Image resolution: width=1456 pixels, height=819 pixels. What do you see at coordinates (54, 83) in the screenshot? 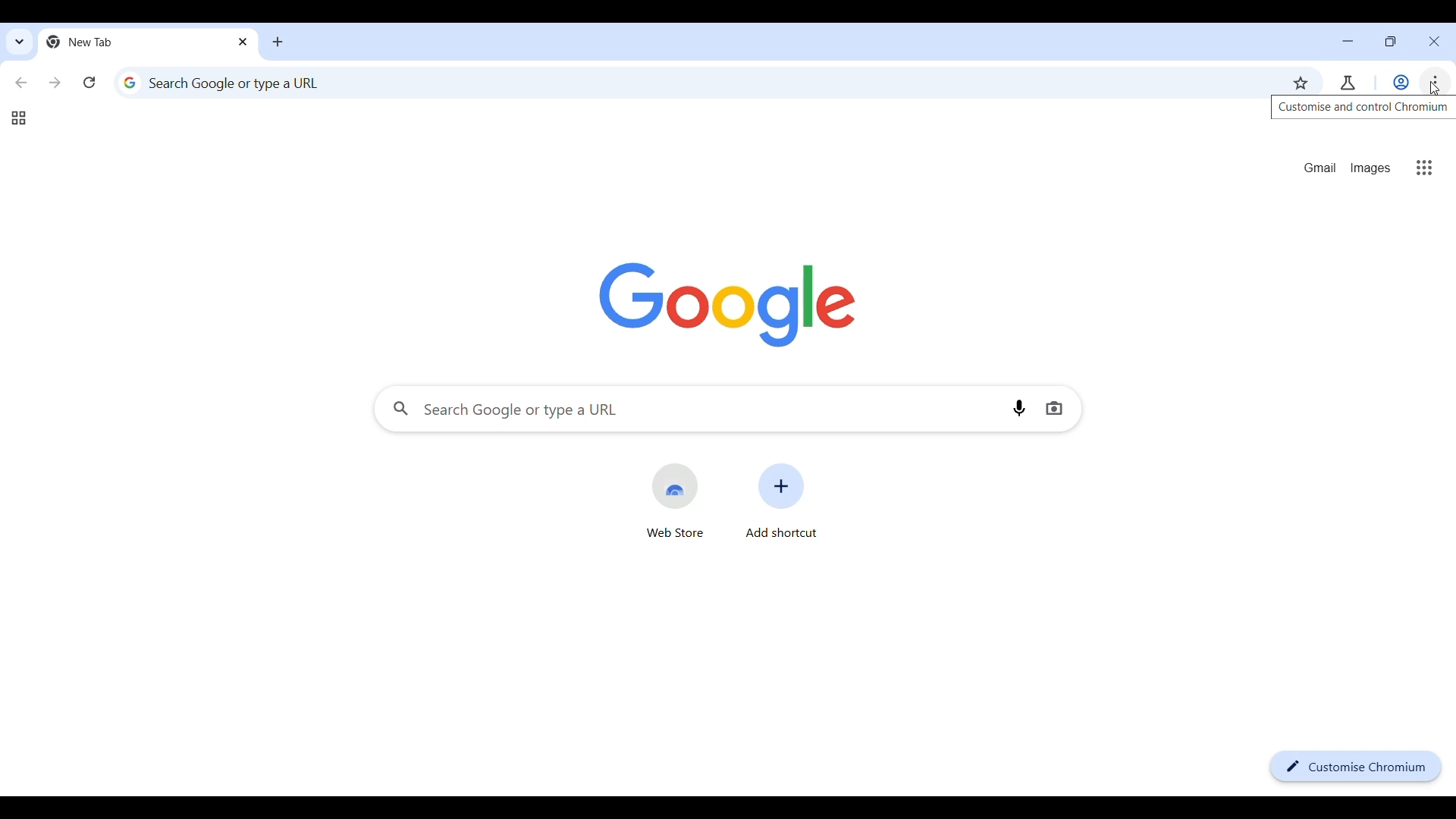
I see `Go forward` at bounding box center [54, 83].